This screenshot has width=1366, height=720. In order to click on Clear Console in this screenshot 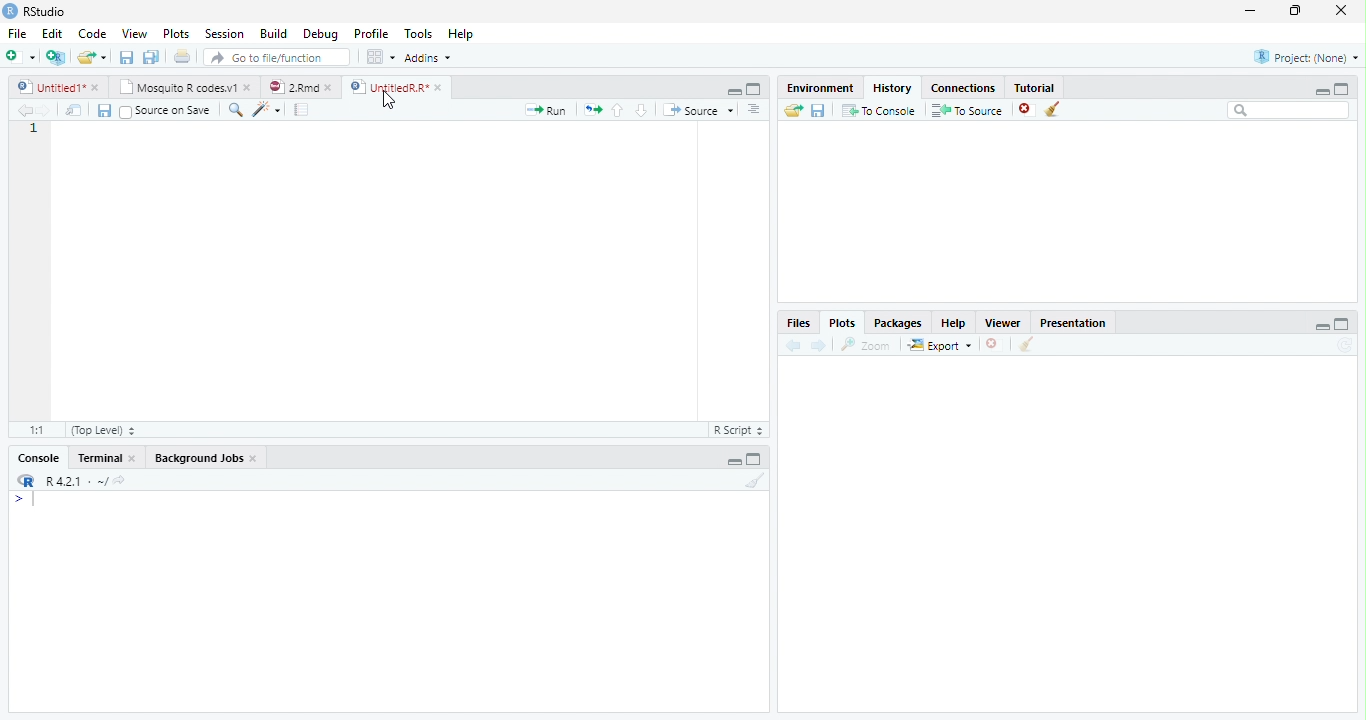, I will do `click(1026, 346)`.